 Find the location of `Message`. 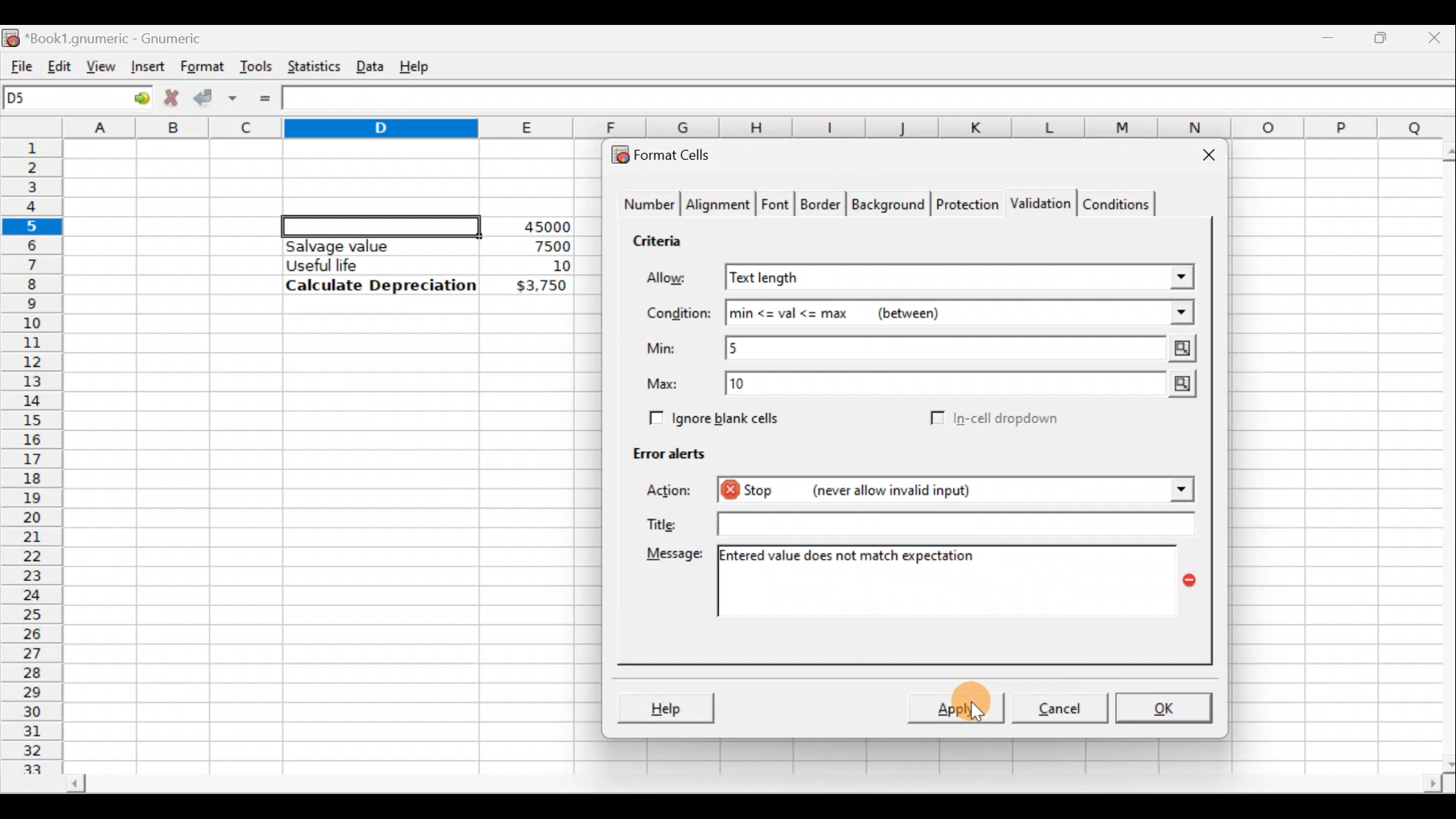

Message is located at coordinates (672, 557).